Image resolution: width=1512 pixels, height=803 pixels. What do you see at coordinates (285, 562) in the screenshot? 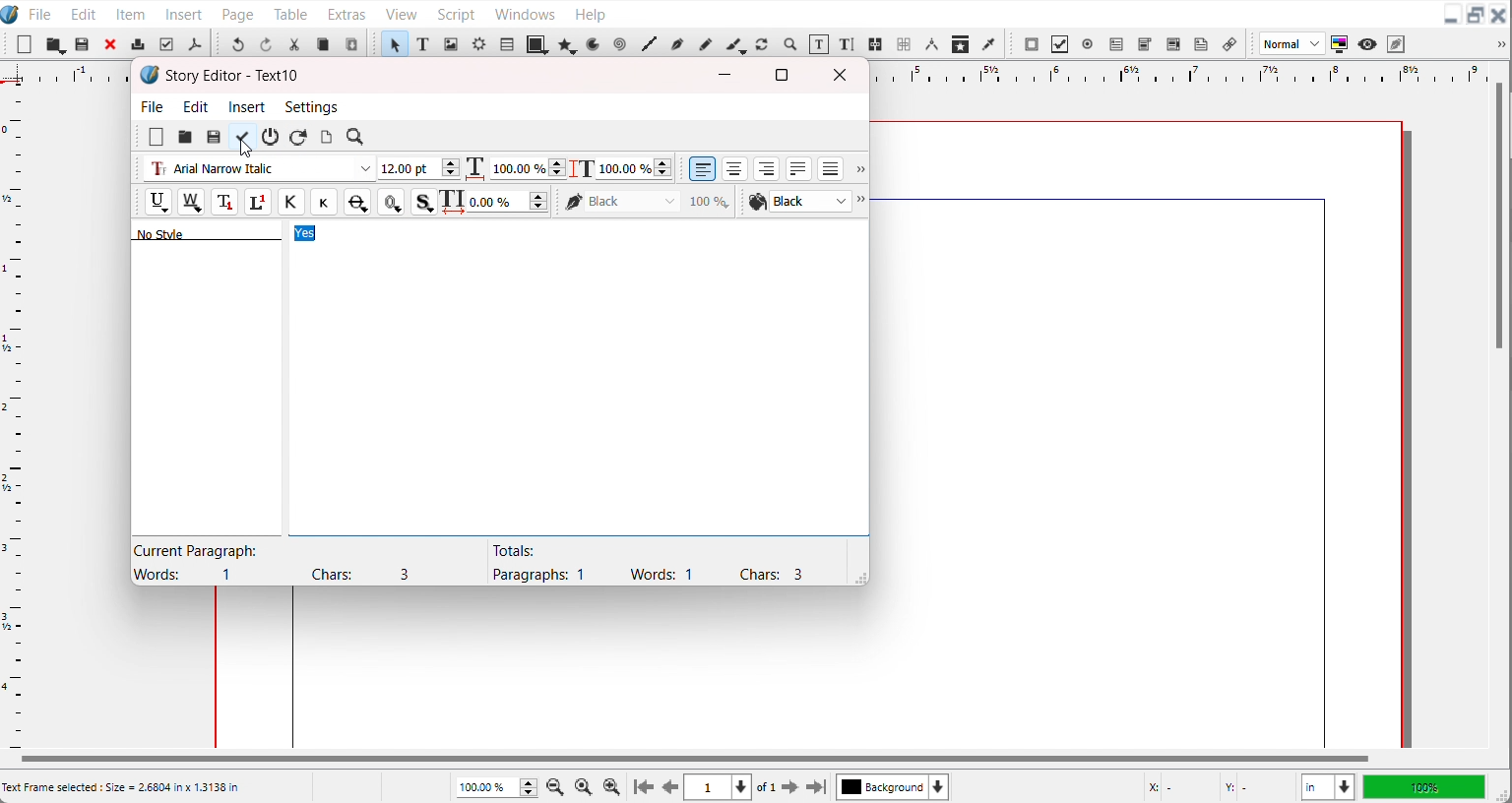
I see `Text` at bounding box center [285, 562].